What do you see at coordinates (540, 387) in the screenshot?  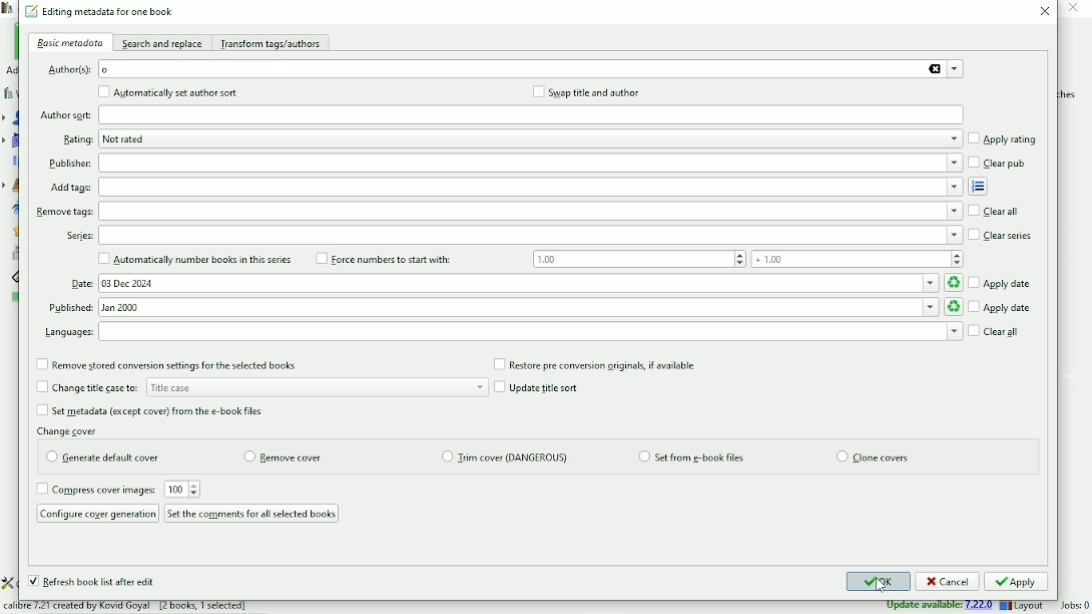 I see `Update title sort` at bounding box center [540, 387].